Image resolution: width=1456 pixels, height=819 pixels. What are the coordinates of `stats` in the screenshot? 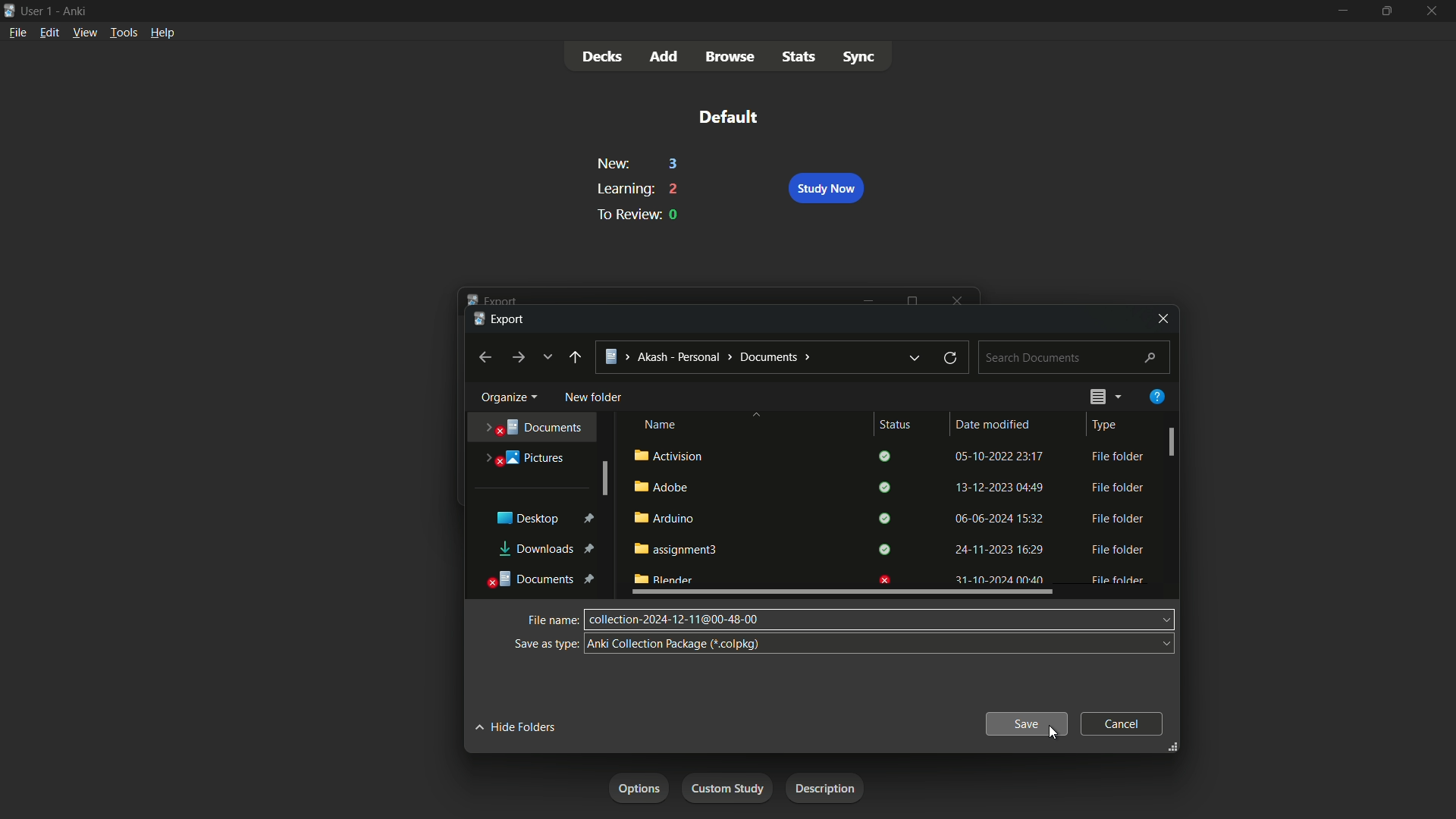 It's located at (800, 55).